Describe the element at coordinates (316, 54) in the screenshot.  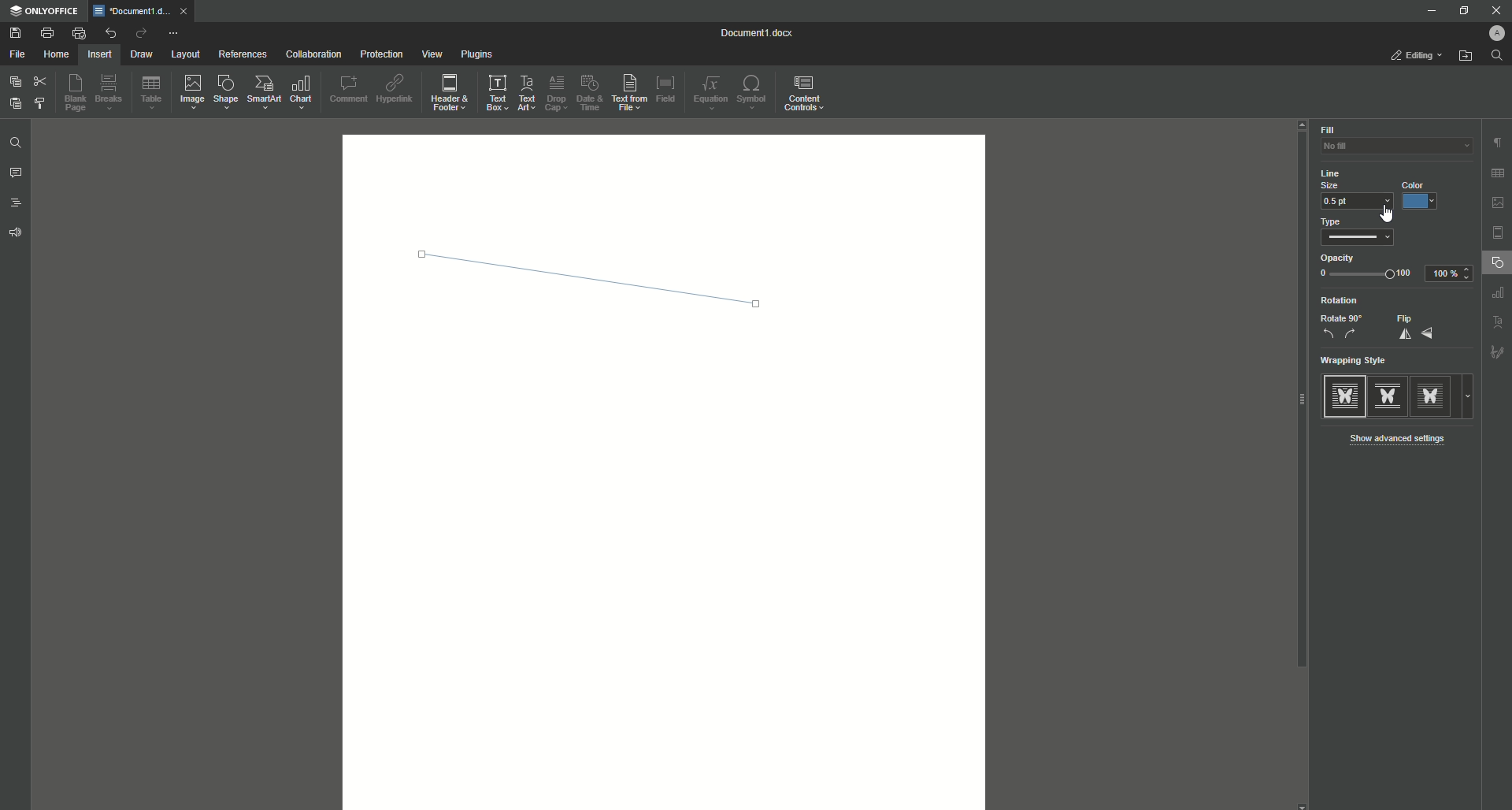
I see `Collaboration` at that location.